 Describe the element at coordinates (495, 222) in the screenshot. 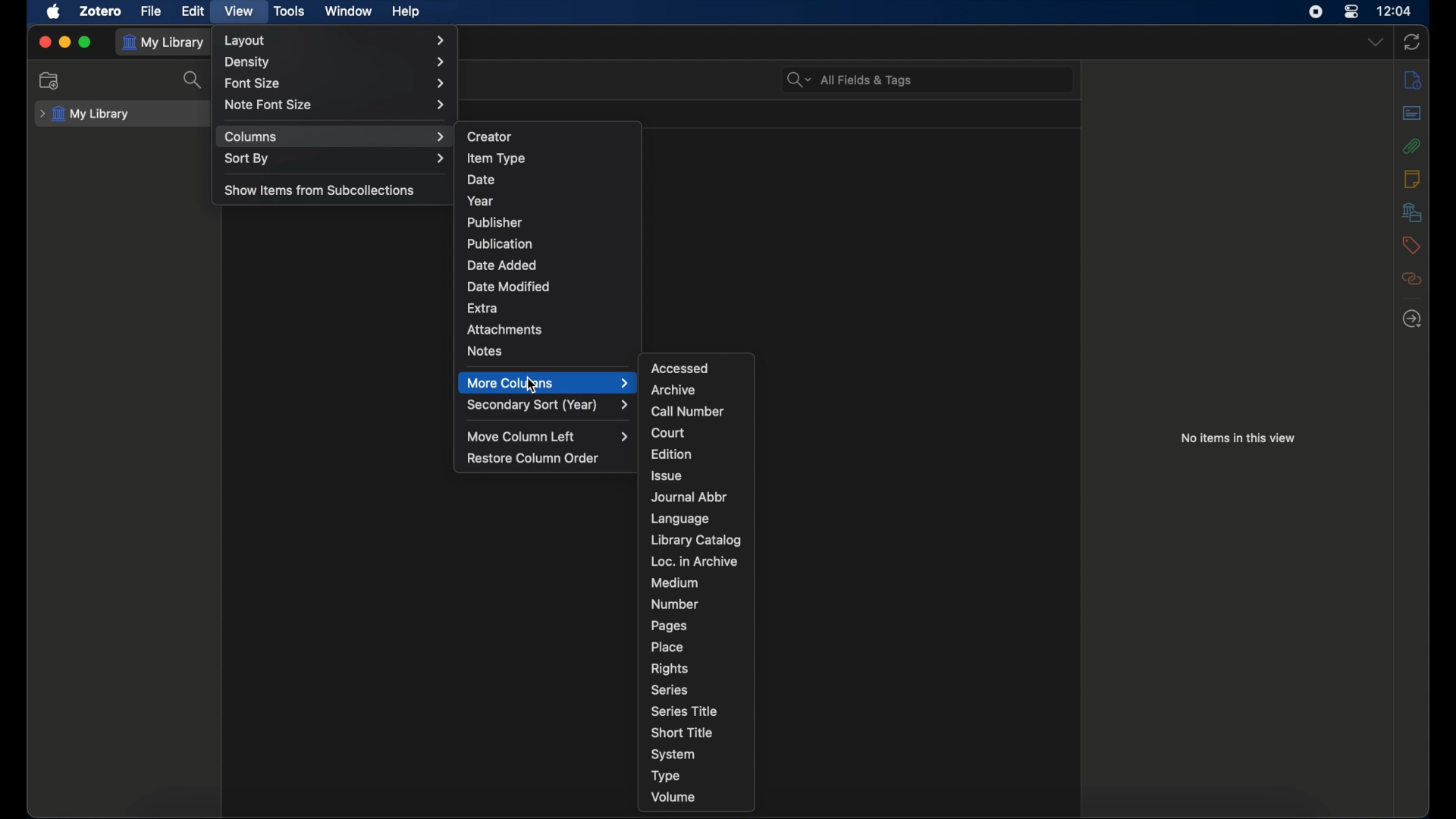

I see `publisher` at that location.